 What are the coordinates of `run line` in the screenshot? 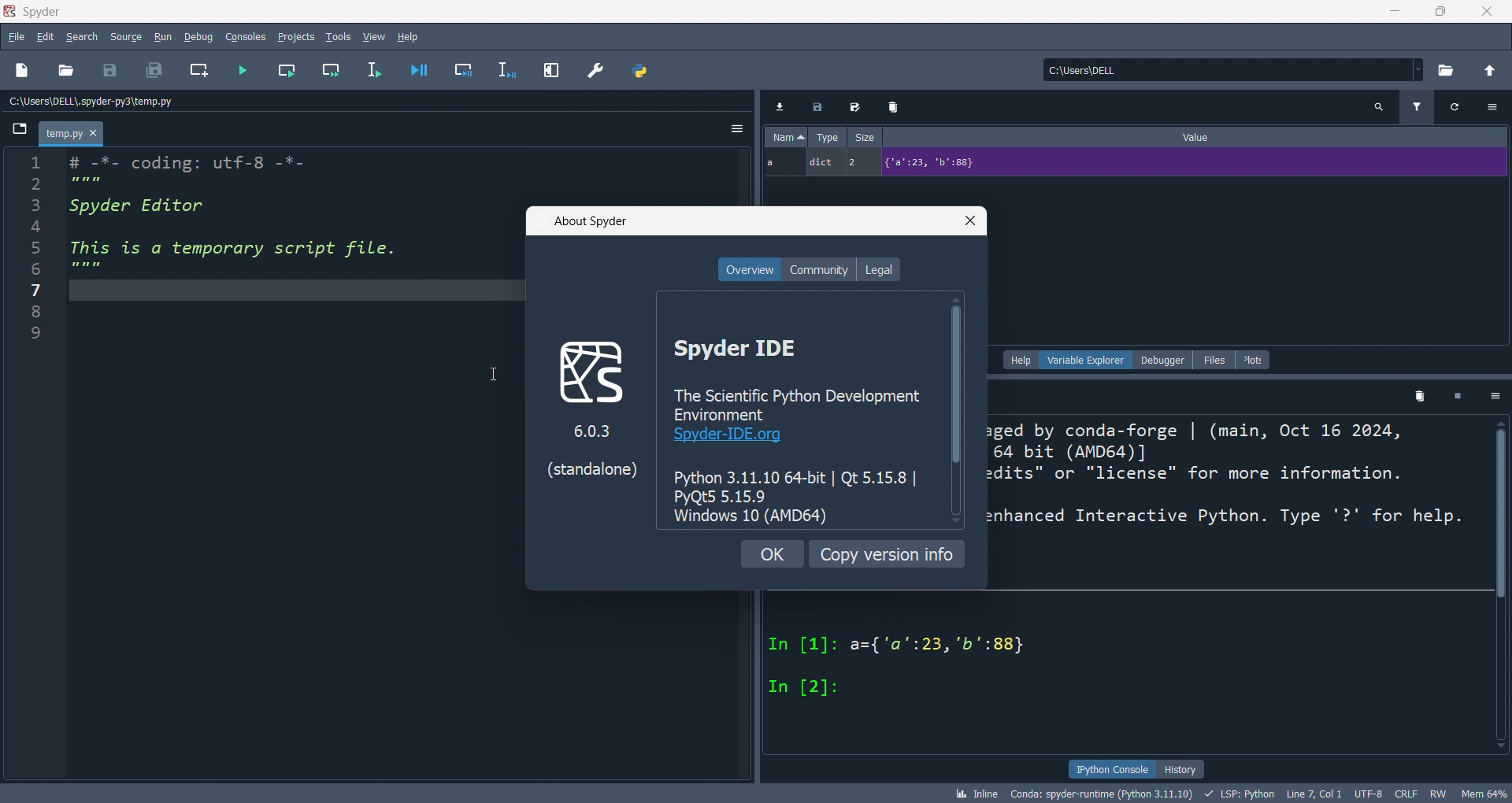 It's located at (375, 70).